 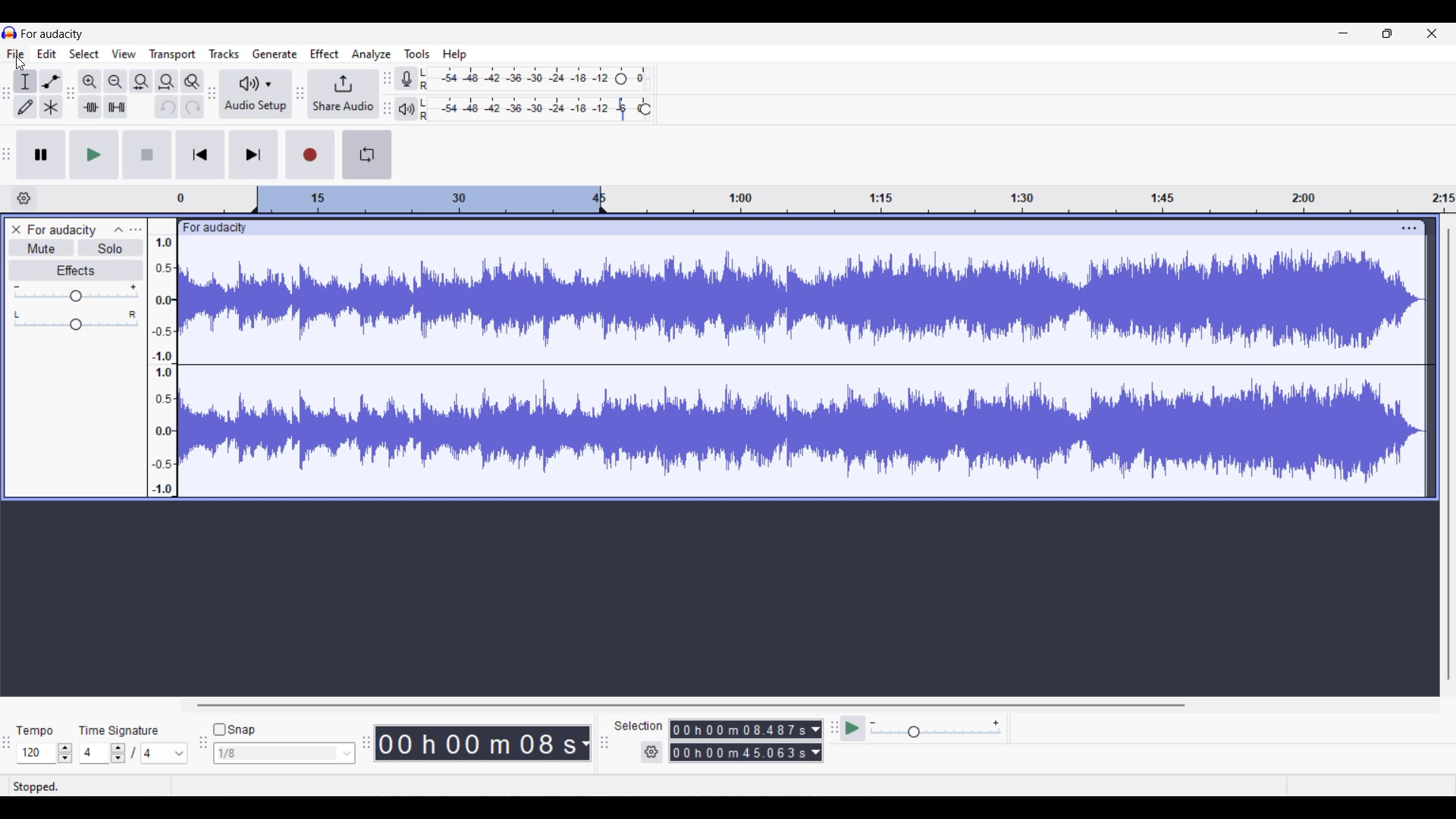 What do you see at coordinates (407, 79) in the screenshot?
I see `Record meter` at bounding box center [407, 79].